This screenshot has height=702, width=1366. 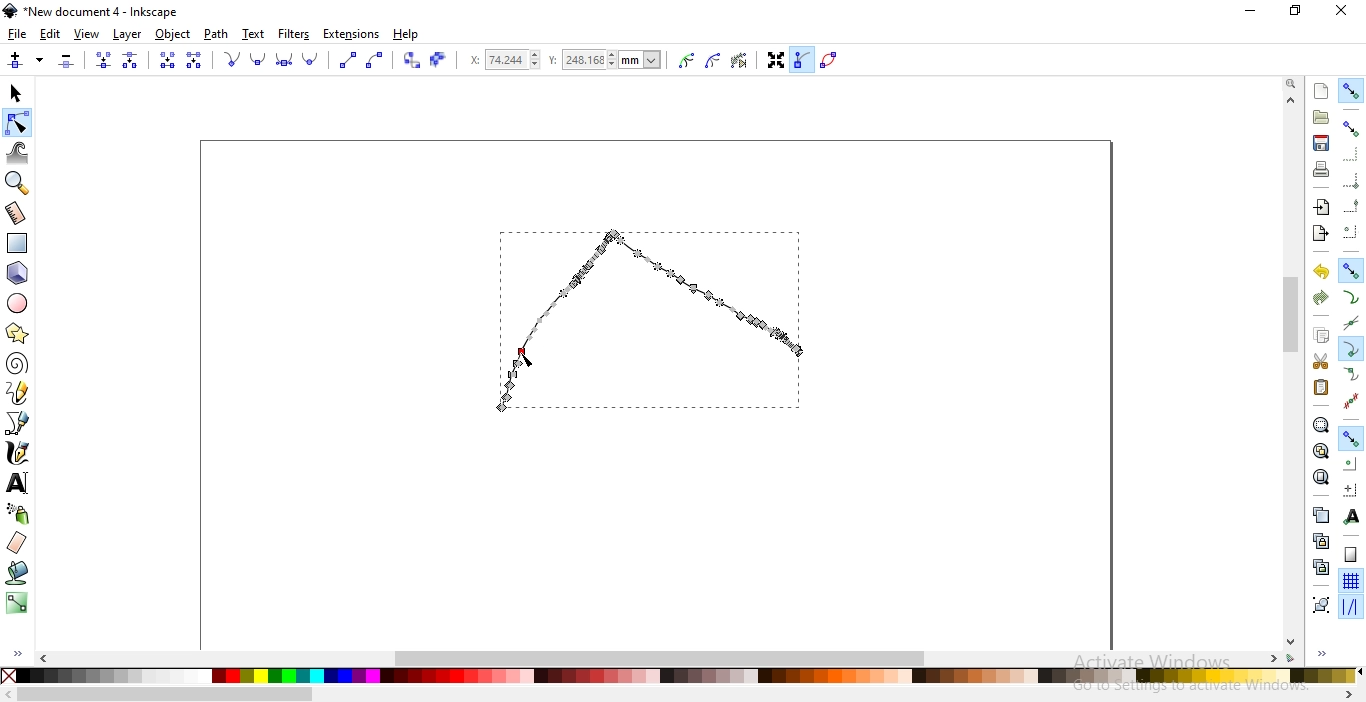 What do you see at coordinates (775, 63) in the screenshot?
I see `show transformational handles for selected nodes` at bounding box center [775, 63].